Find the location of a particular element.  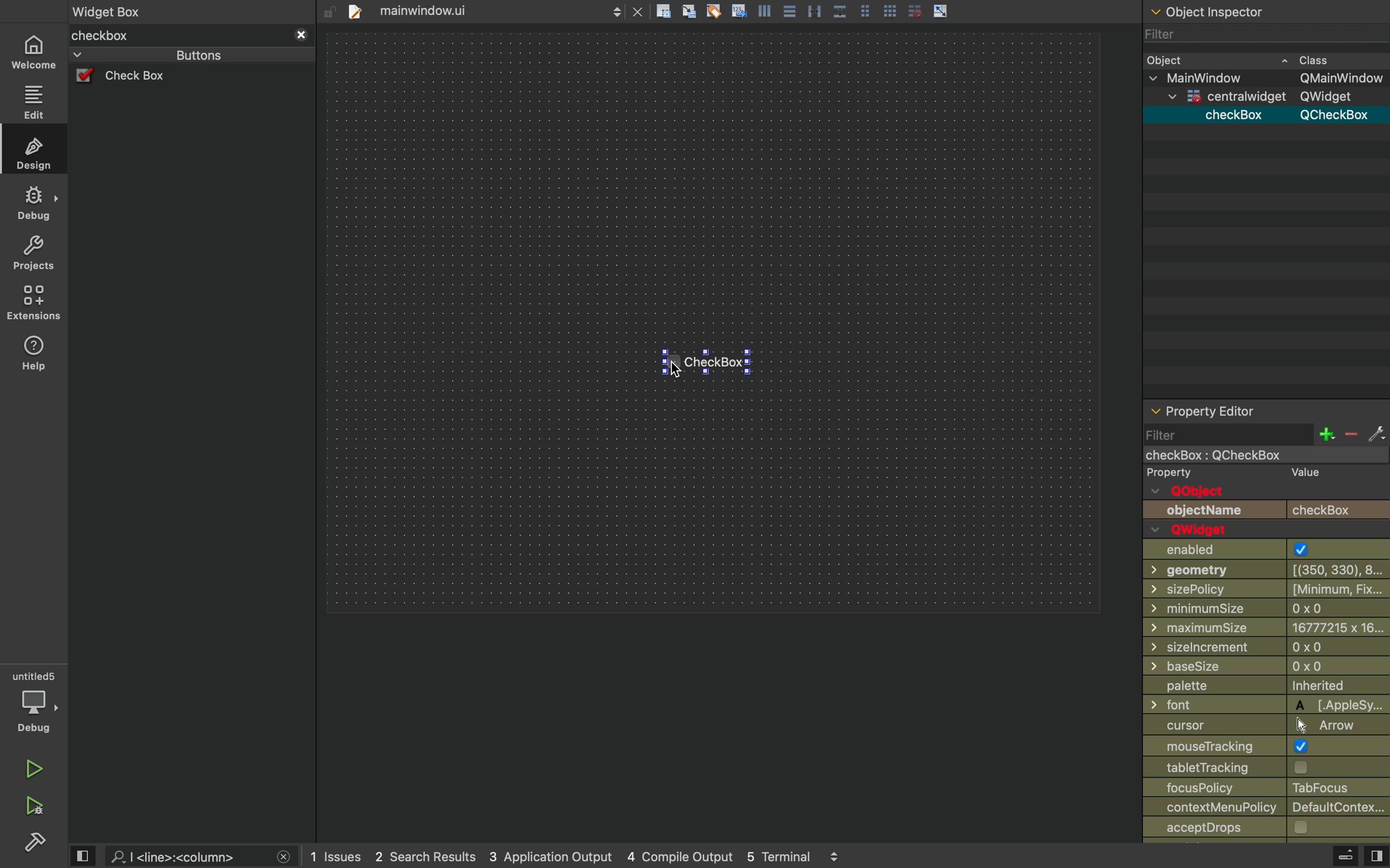

palette is located at coordinates (1265, 687).